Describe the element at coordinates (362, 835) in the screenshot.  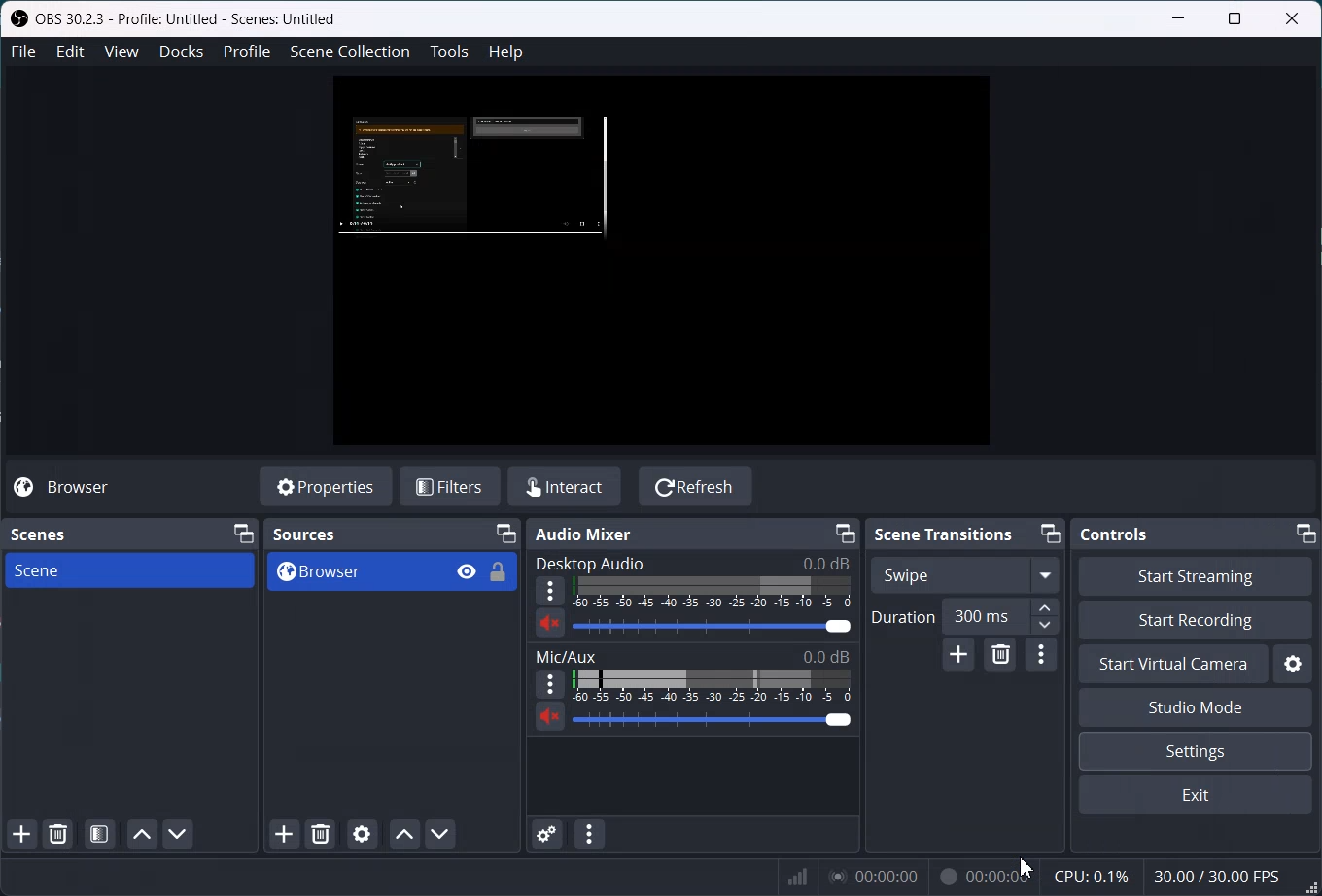
I see `Open source Properties` at that location.